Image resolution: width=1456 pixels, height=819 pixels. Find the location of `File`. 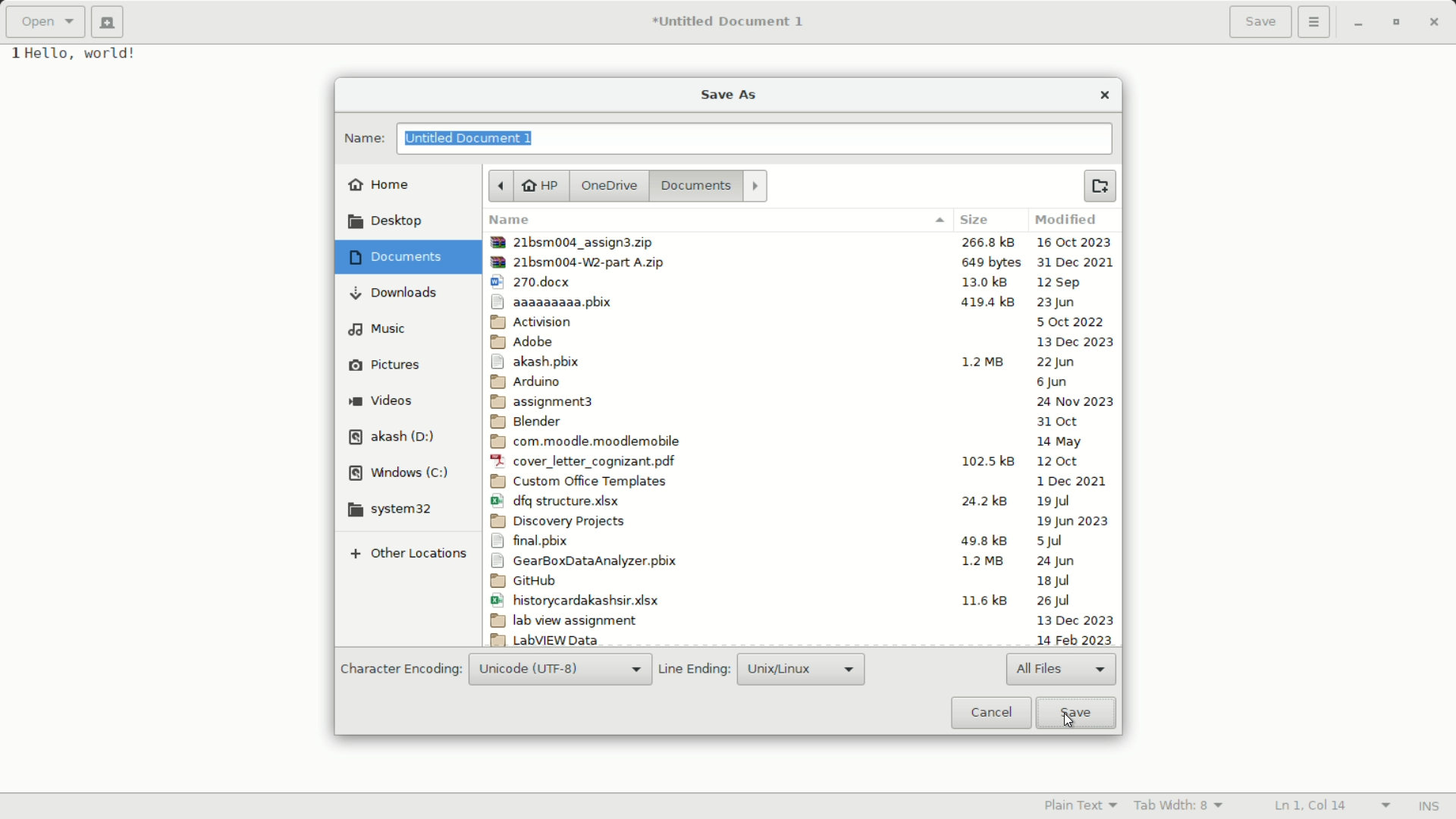

File is located at coordinates (799, 422).